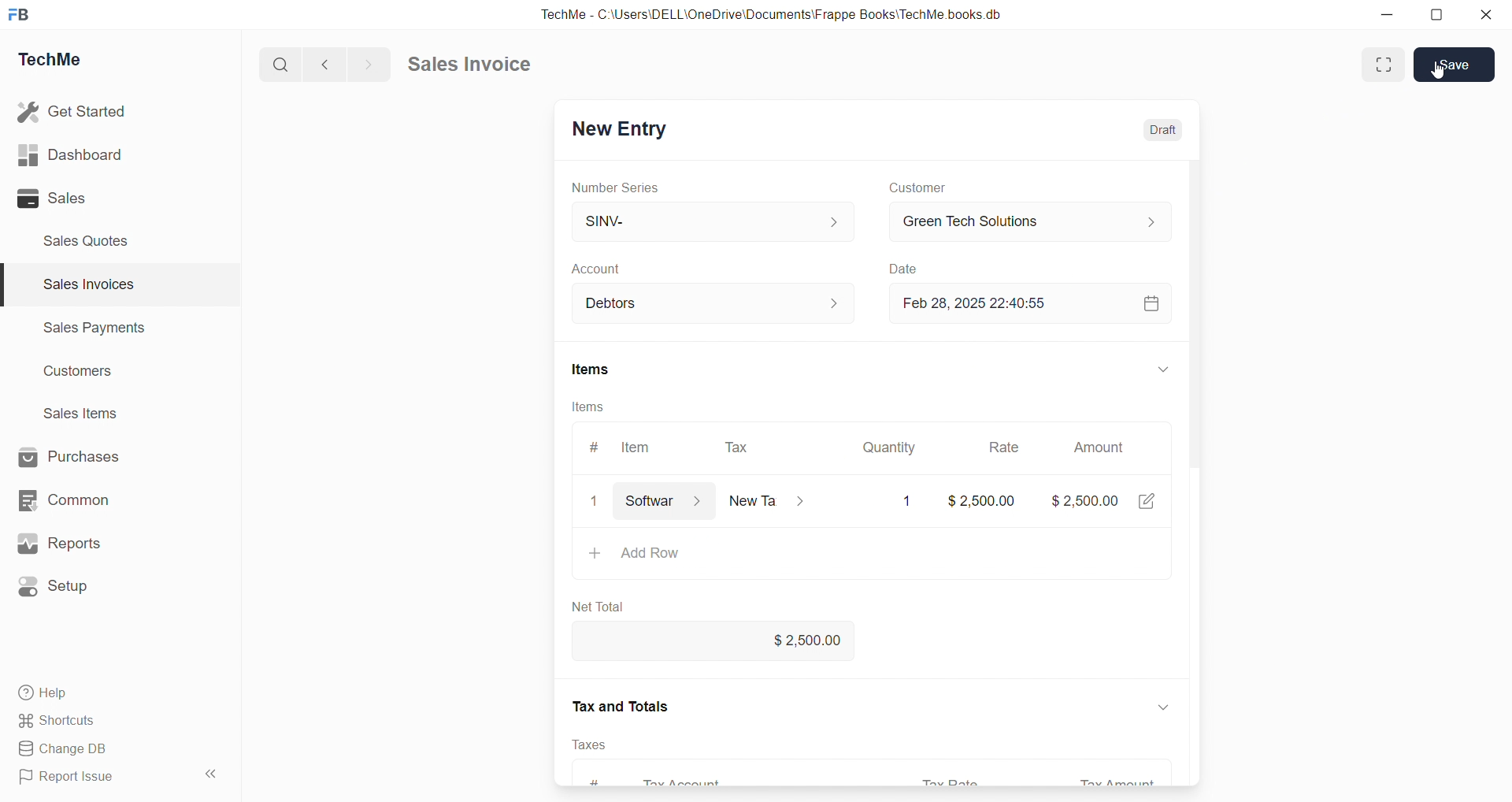 The height and width of the screenshot is (802, 1512). I want to click on Report Issue, so click(71, 774).